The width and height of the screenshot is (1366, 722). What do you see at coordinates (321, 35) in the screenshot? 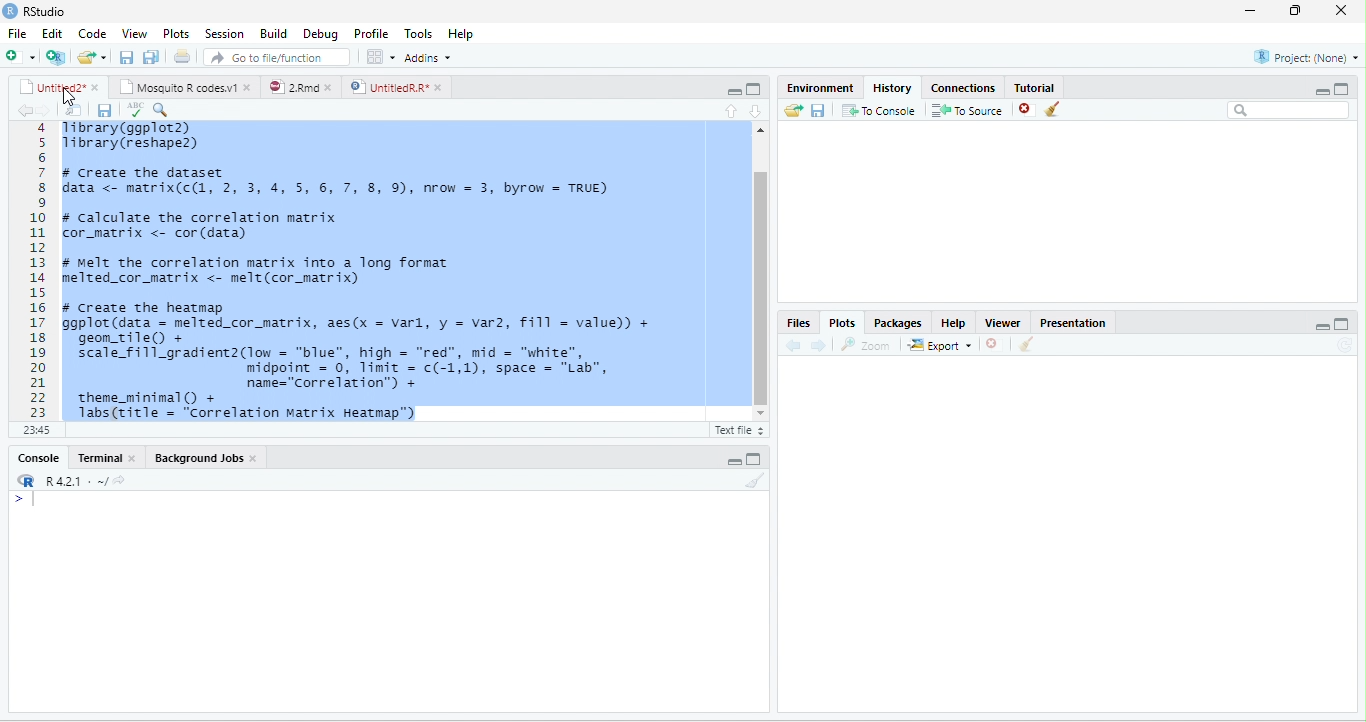
I see `debug` at bounding box center [321, 35].